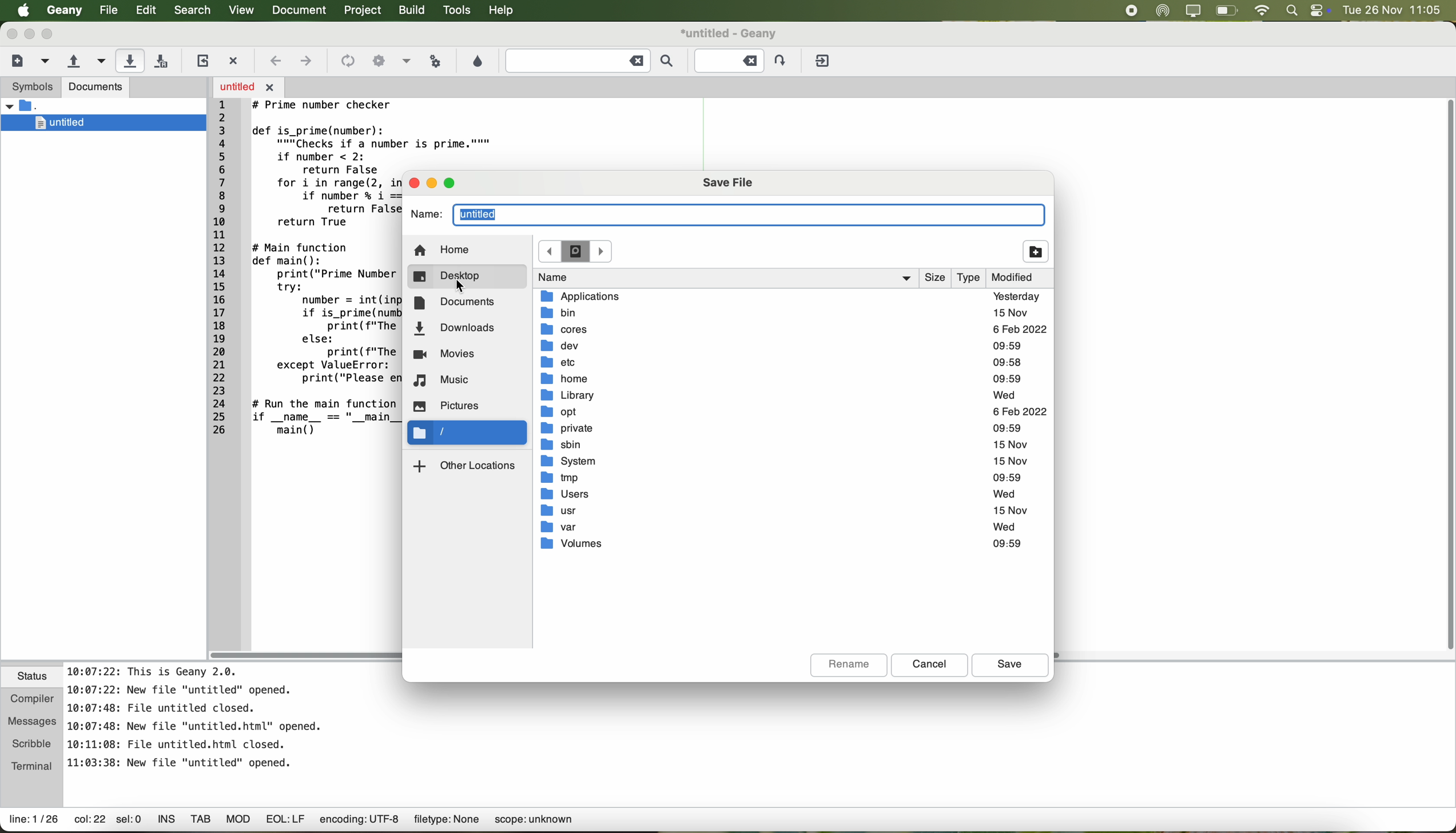 The height and width of the screenshot is (833, 1456). I want to click on open file, so click(248, 86).